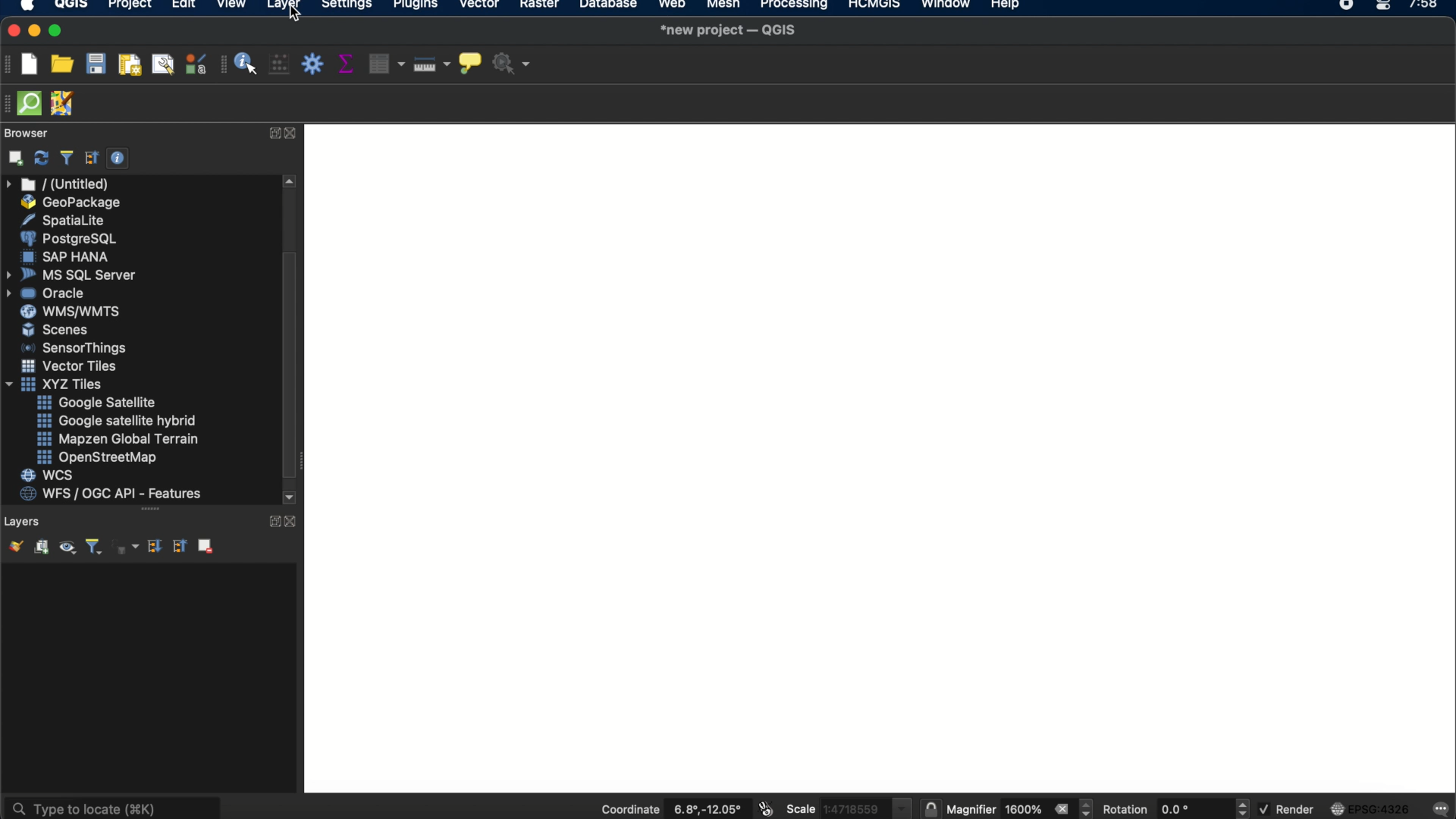 Image resolution: width=1456 pixels, height=819 pixels. Describe the element at coordinates (1021, 808) in the screenshot. I see `magnifier 1600%` at that location.